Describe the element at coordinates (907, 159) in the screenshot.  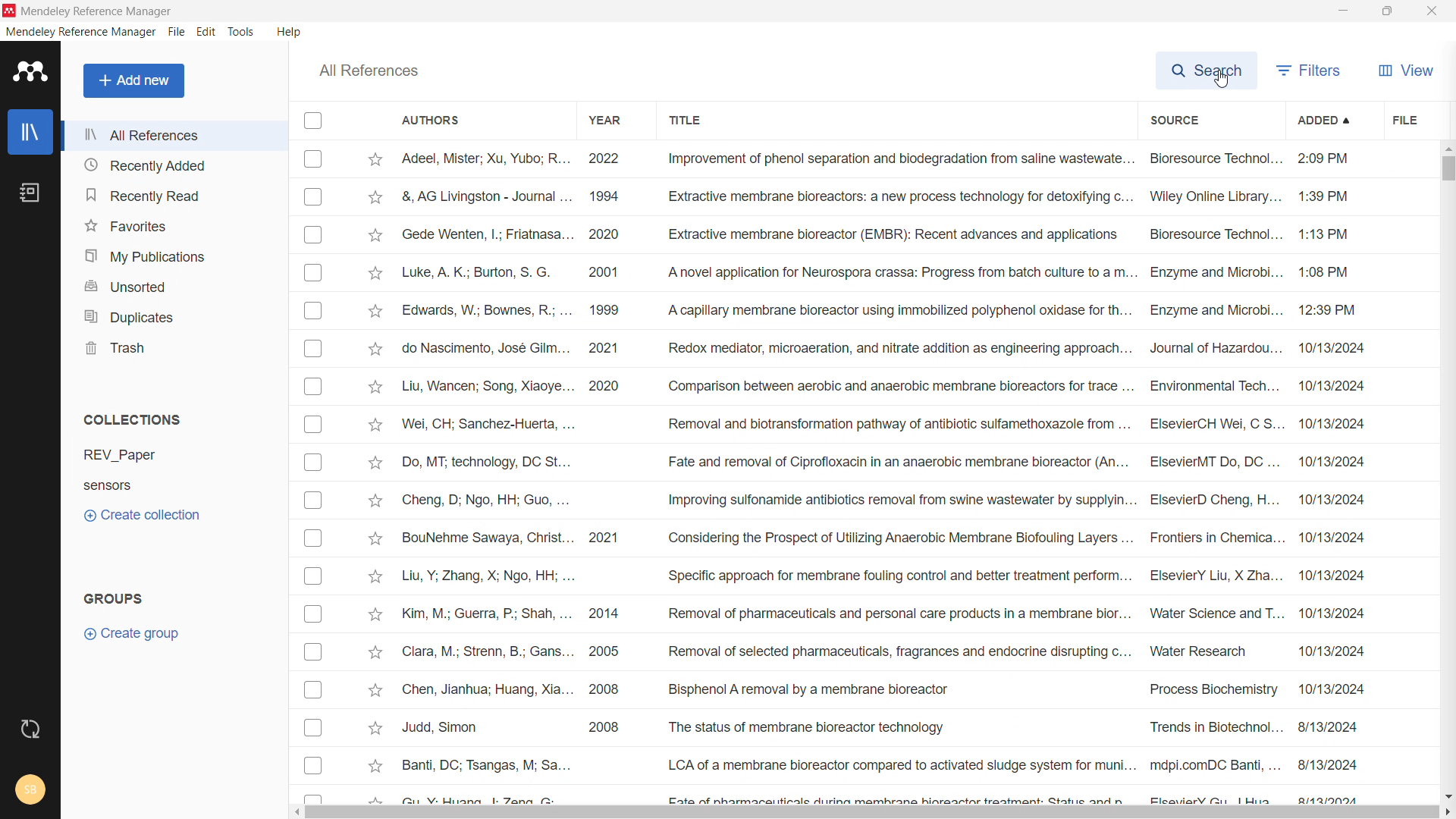
I see `Adeel, Mister; Xu, Yubo; R... 2022 Improvement of phenol separation and biodegradation from saline waste wate... Bioresource Technol... 2:09 PM` at that location.